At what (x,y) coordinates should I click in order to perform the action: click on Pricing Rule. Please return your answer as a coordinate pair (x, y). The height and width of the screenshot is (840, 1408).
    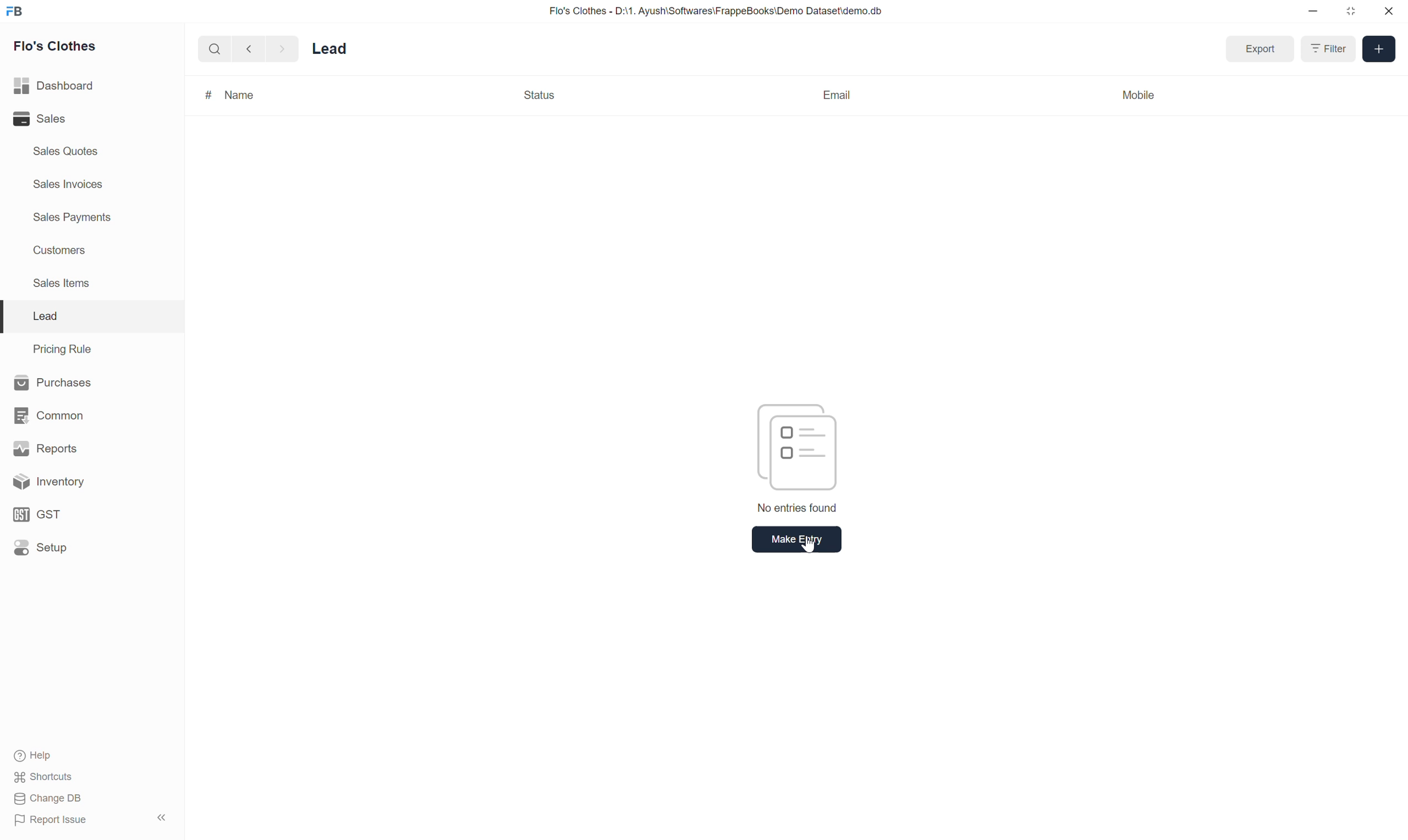
    Looking at the image, I should click on (61, 348).